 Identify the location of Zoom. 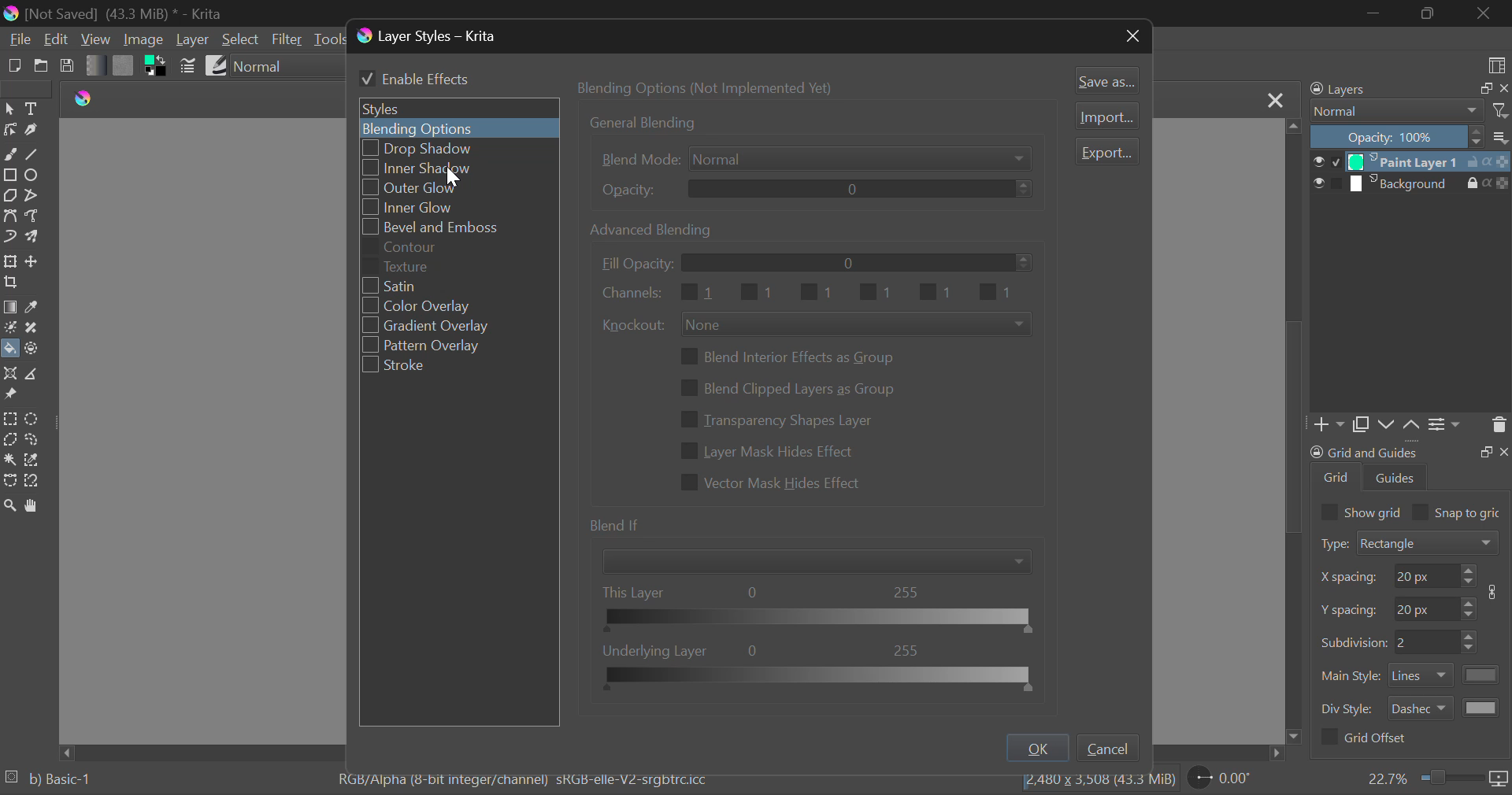
(1437, 778).